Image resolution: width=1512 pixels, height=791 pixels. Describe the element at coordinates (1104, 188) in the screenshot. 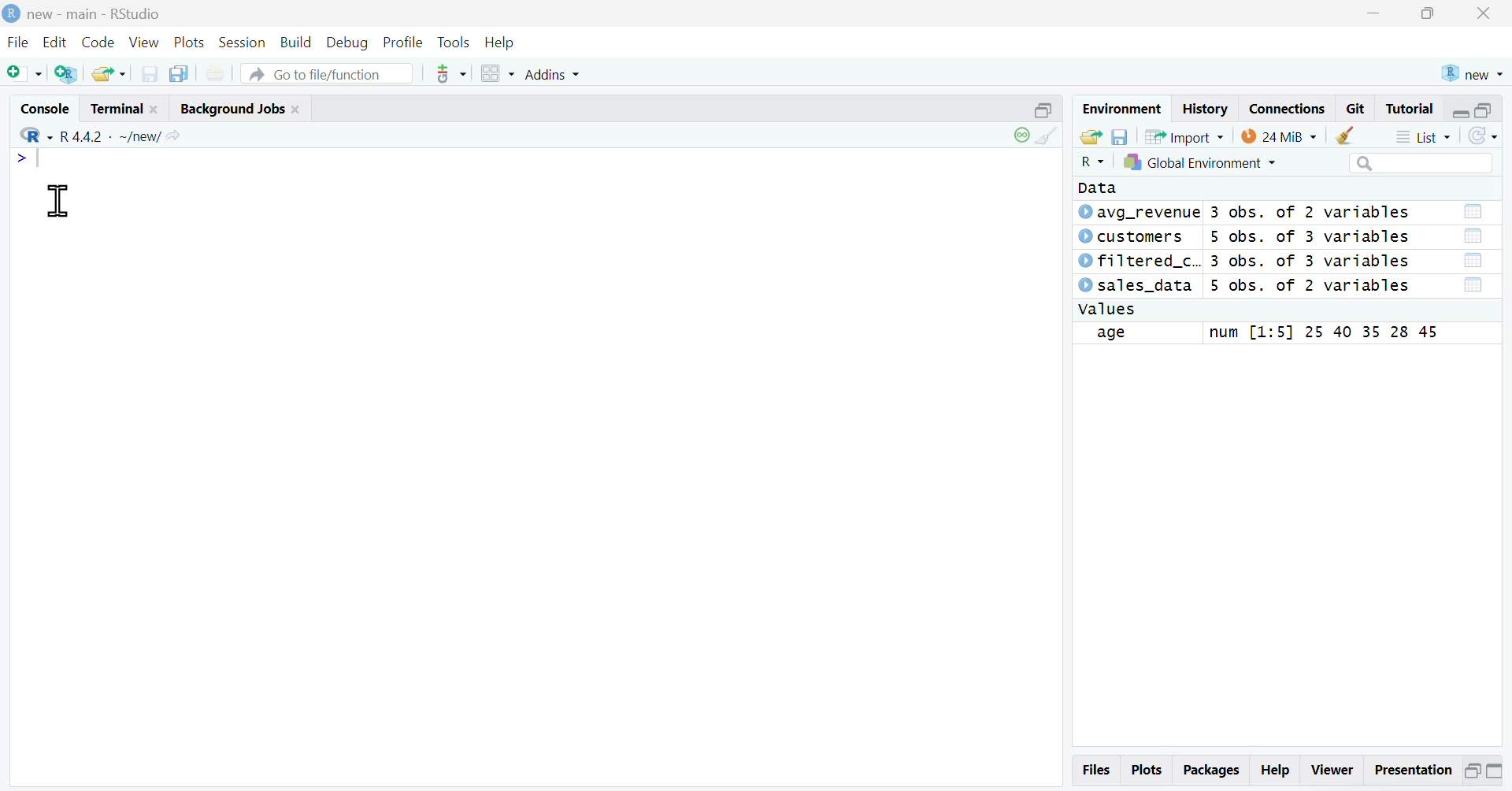

I see `Data` at that location.